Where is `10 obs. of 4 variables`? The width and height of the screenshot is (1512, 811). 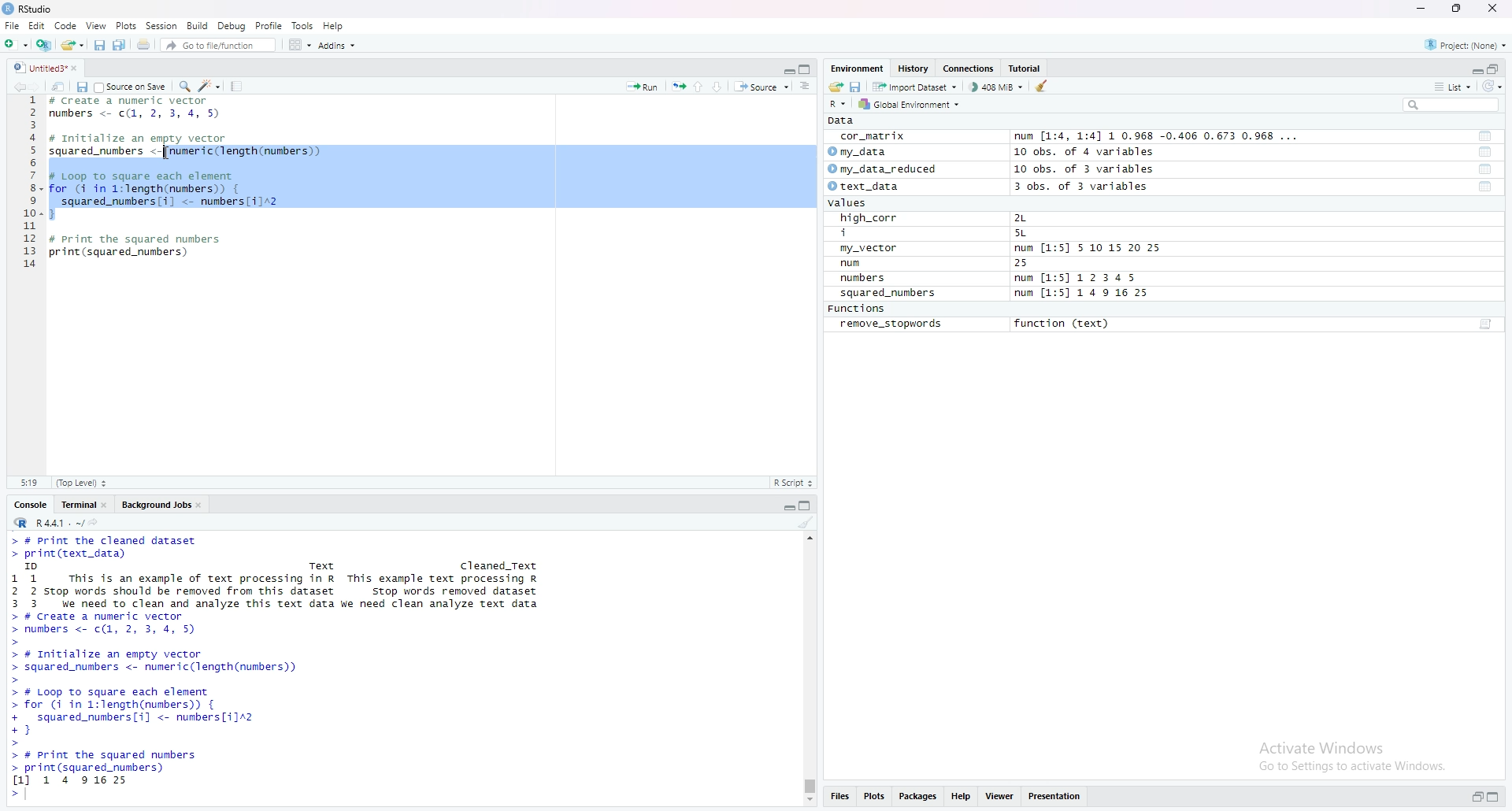 10 obs. of 4 variables is located at coordinates (1084, 152).